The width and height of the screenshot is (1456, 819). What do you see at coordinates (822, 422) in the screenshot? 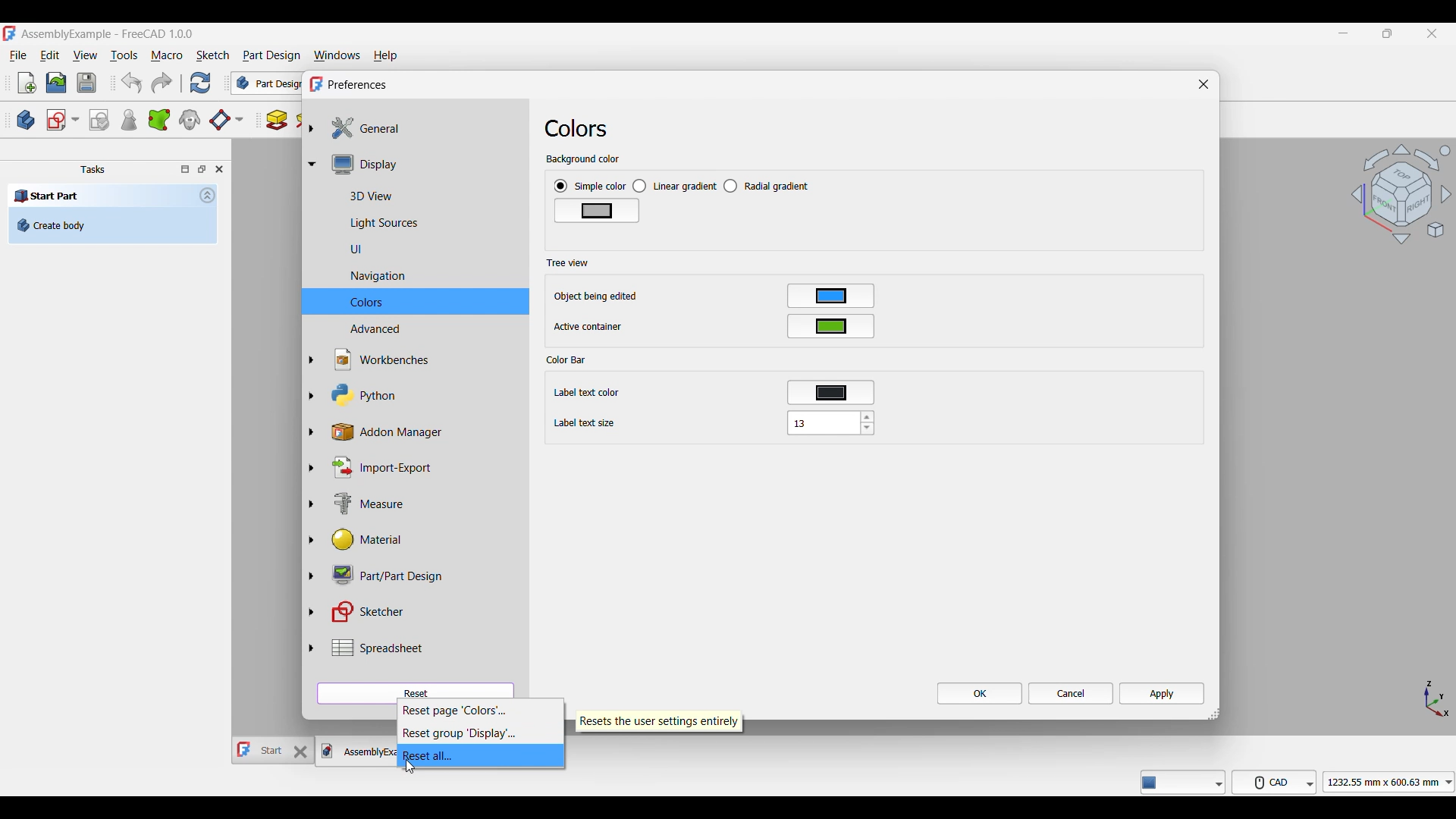
I see `Manually change text size` at bounding box center [822, 422].